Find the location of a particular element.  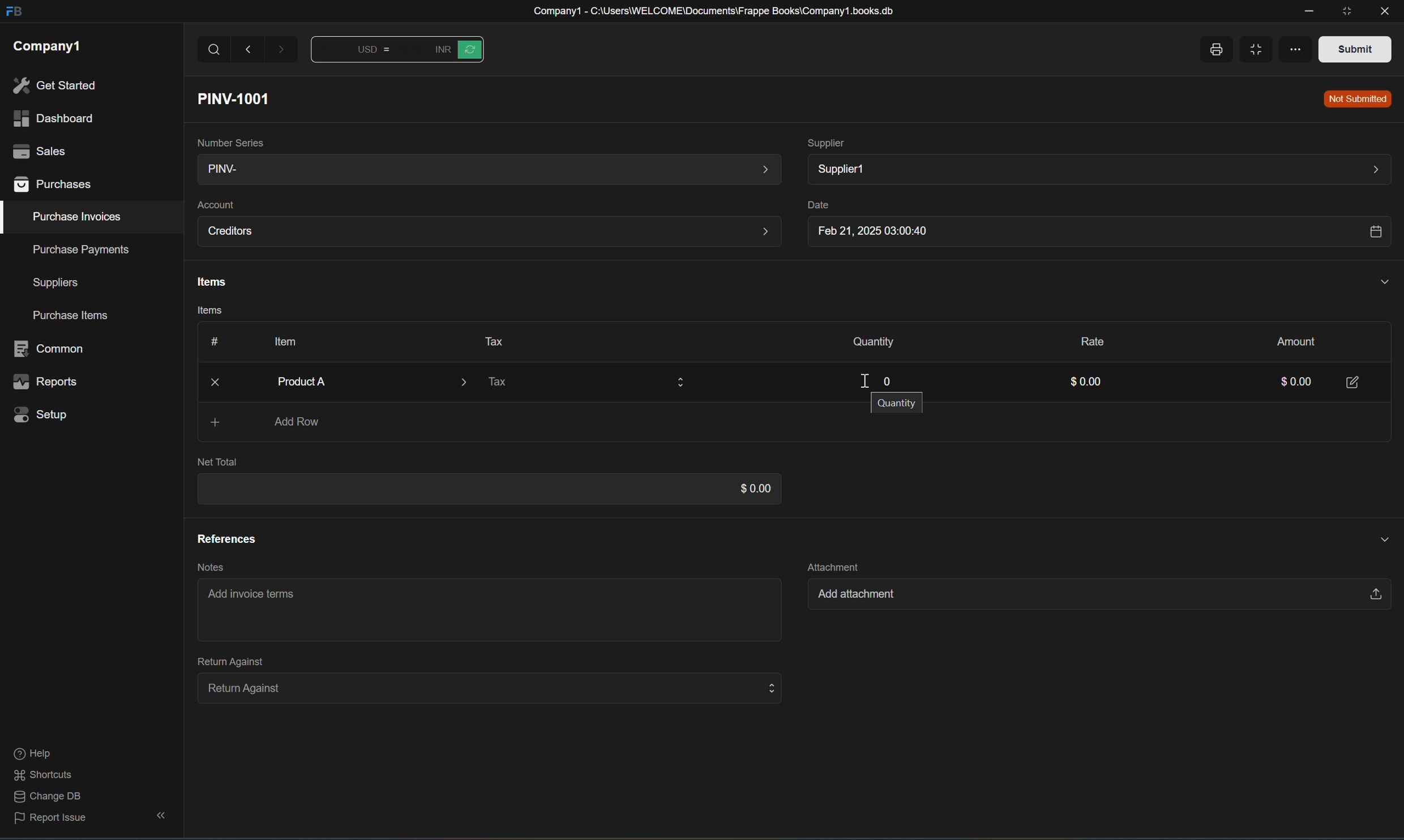

help is located at coordinates (32, 755).